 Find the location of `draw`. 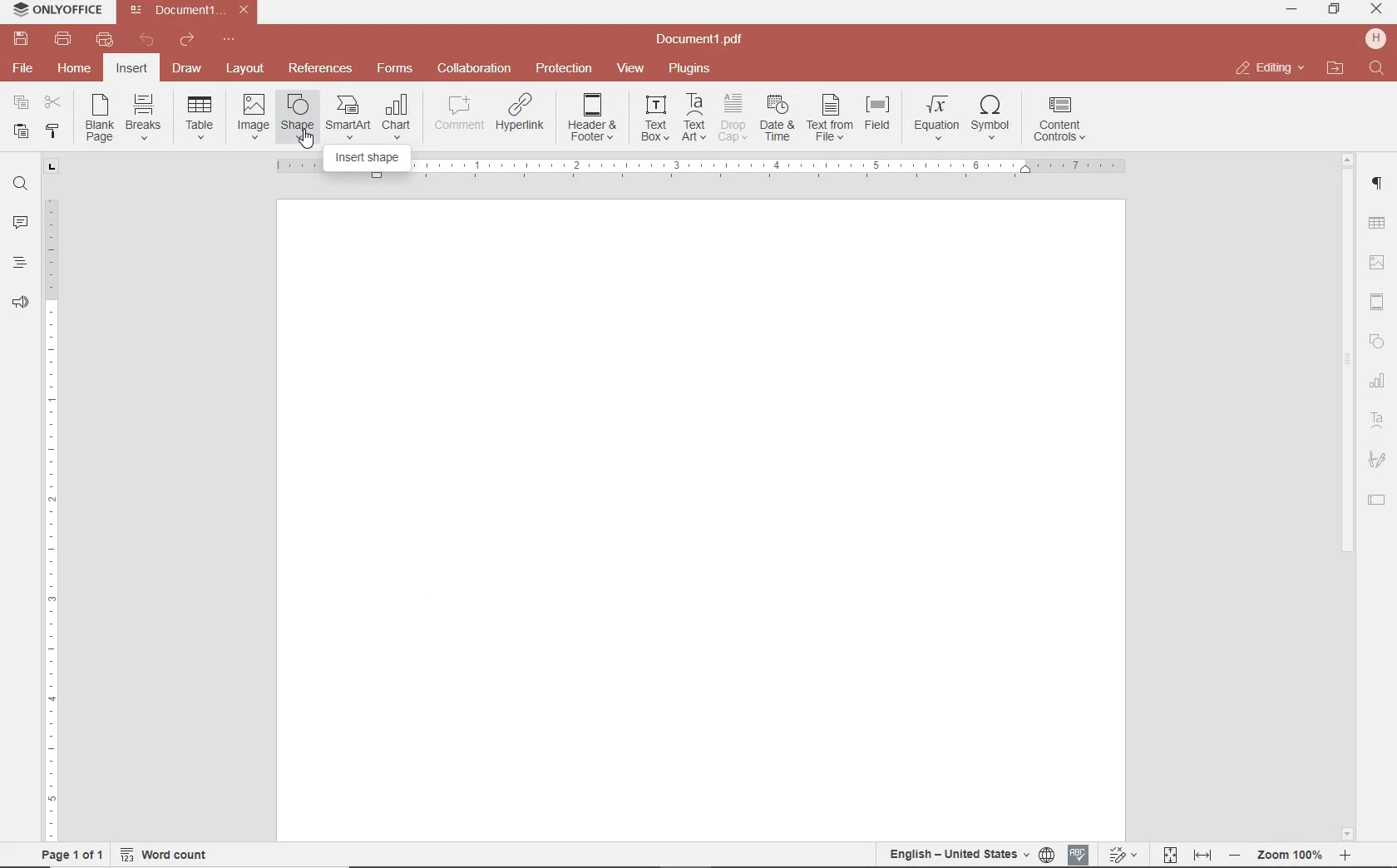

draw is located at coordinates (188, 67).